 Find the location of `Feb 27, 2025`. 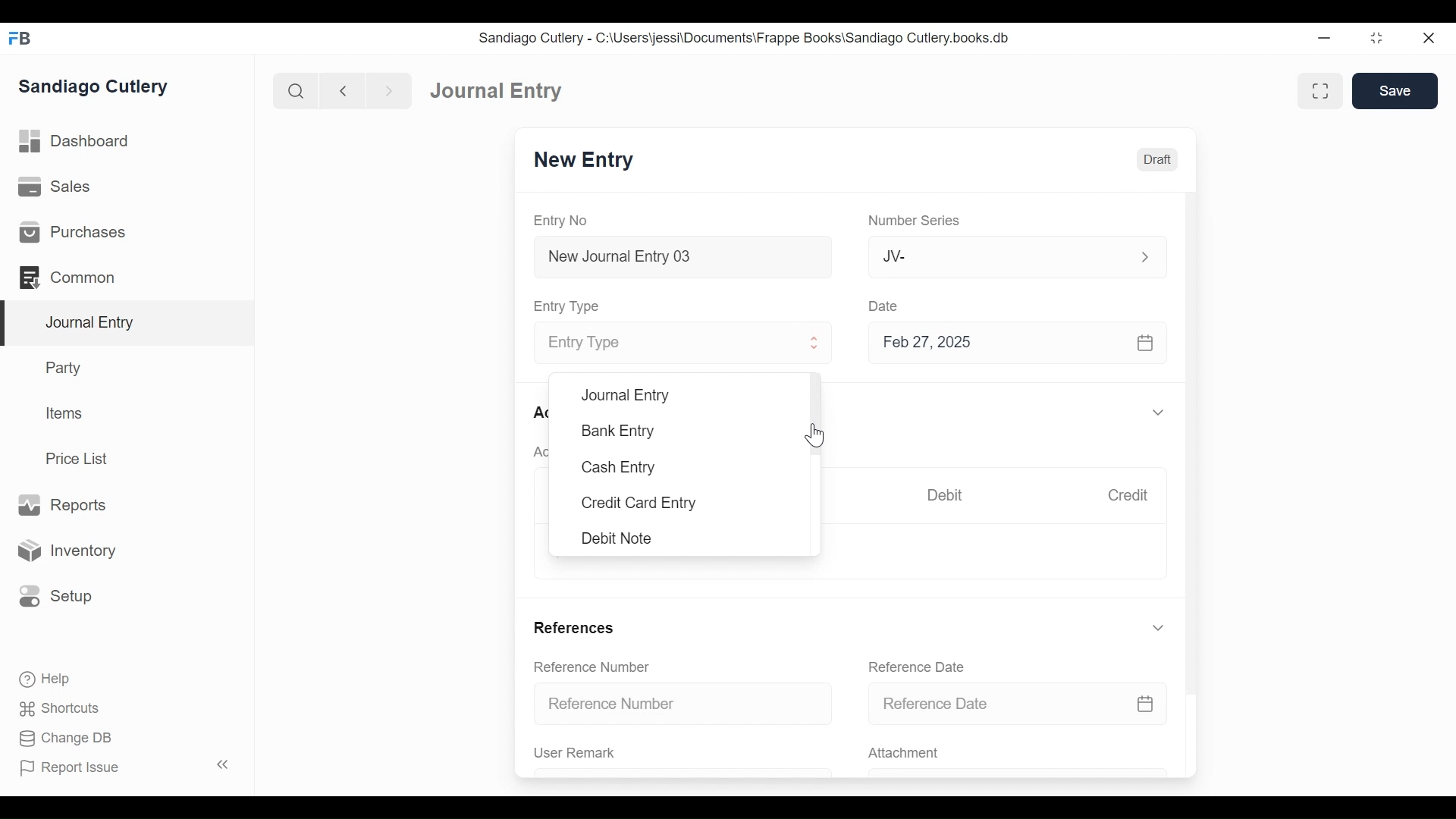

Feb 27, 2025 is located at coordinates (1015, 344).